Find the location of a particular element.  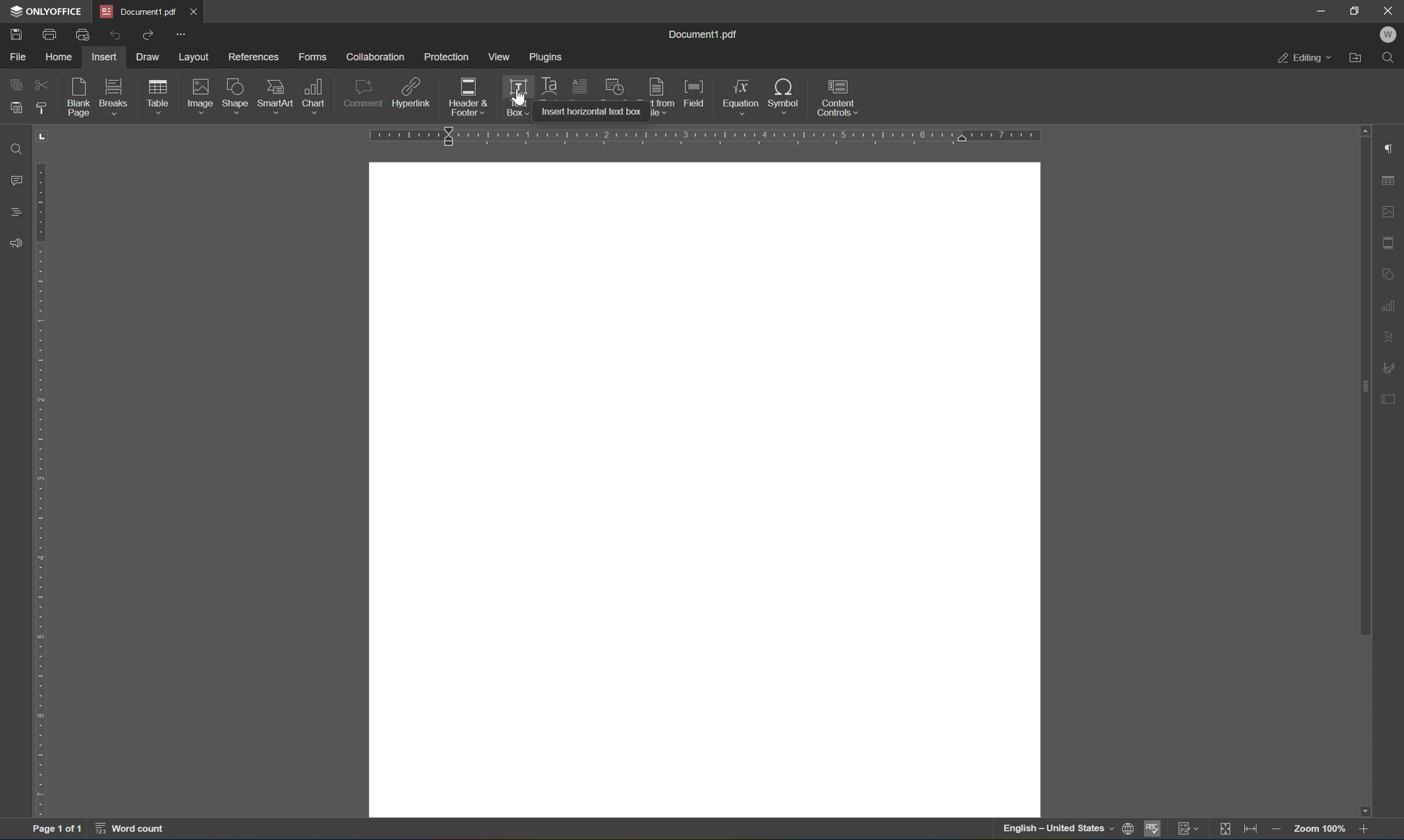

insert is located at coordinates (103, 57).